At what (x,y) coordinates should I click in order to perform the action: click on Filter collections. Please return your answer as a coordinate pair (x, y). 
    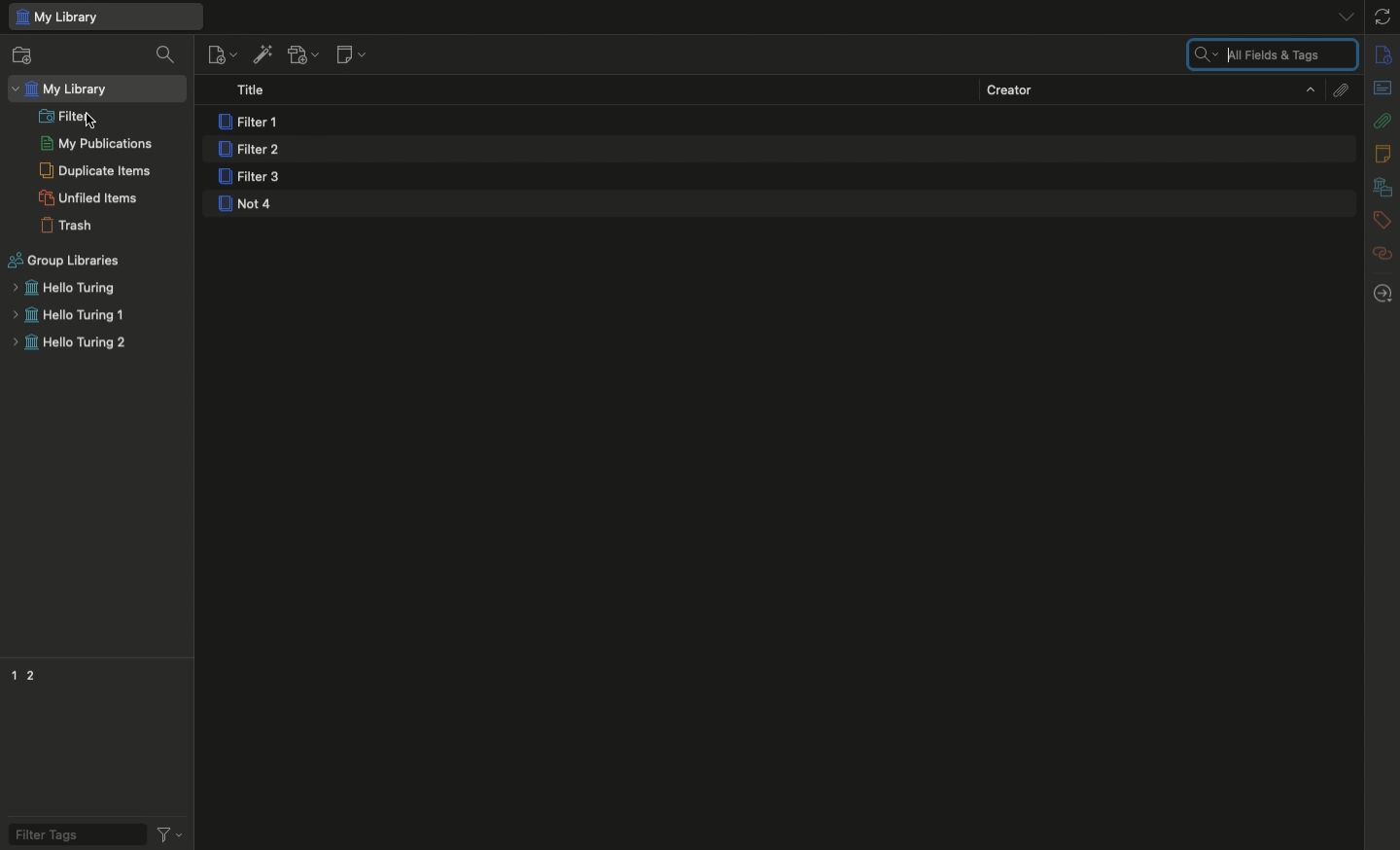
    Looking at the image, I should click on (168, 54).